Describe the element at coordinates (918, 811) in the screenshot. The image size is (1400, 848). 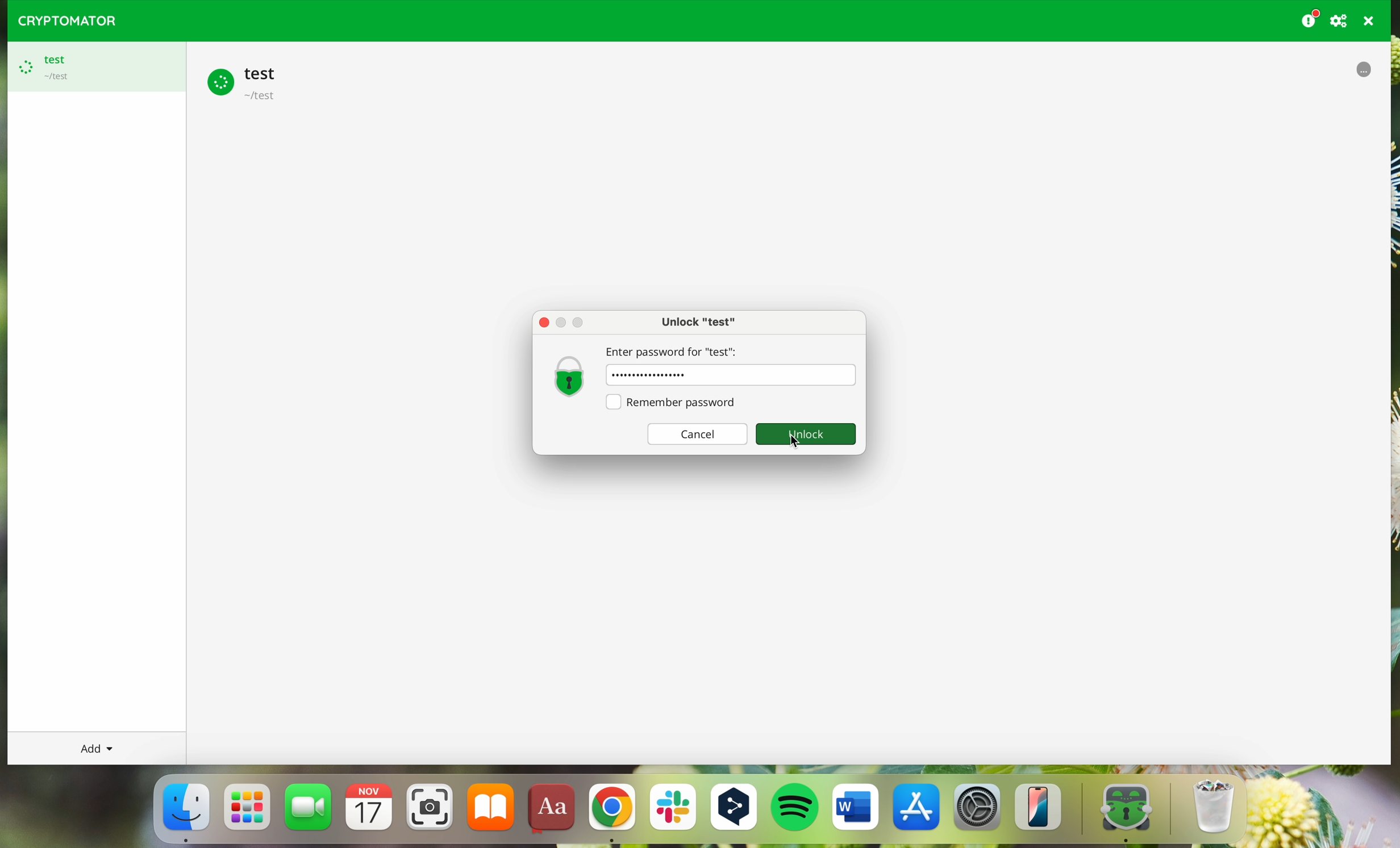
I see `Appstore` at that location.